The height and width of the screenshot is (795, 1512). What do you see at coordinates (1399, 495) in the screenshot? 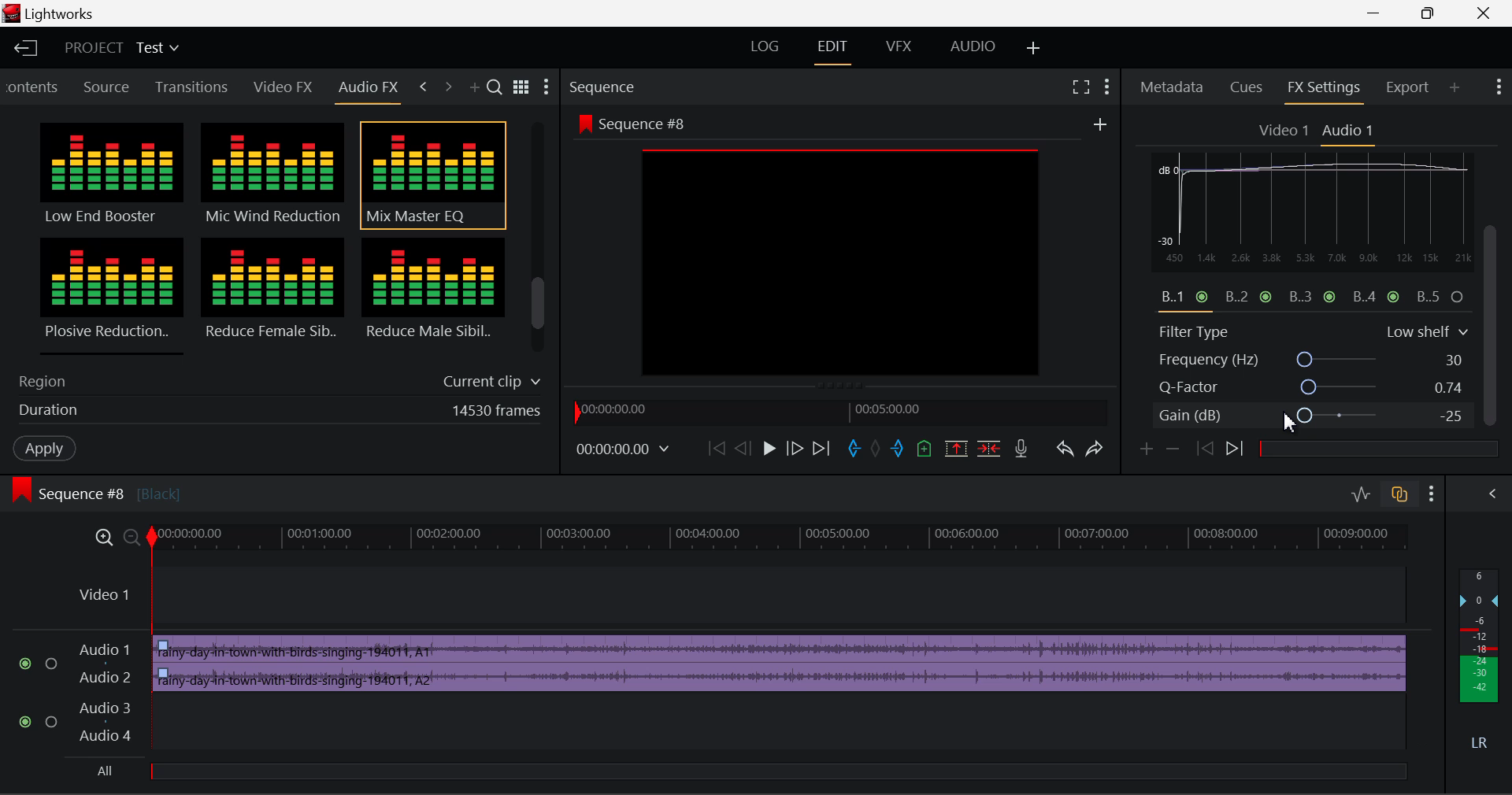
I see `Toggle Auto Track Sync` at bounding box center [1399, 495].